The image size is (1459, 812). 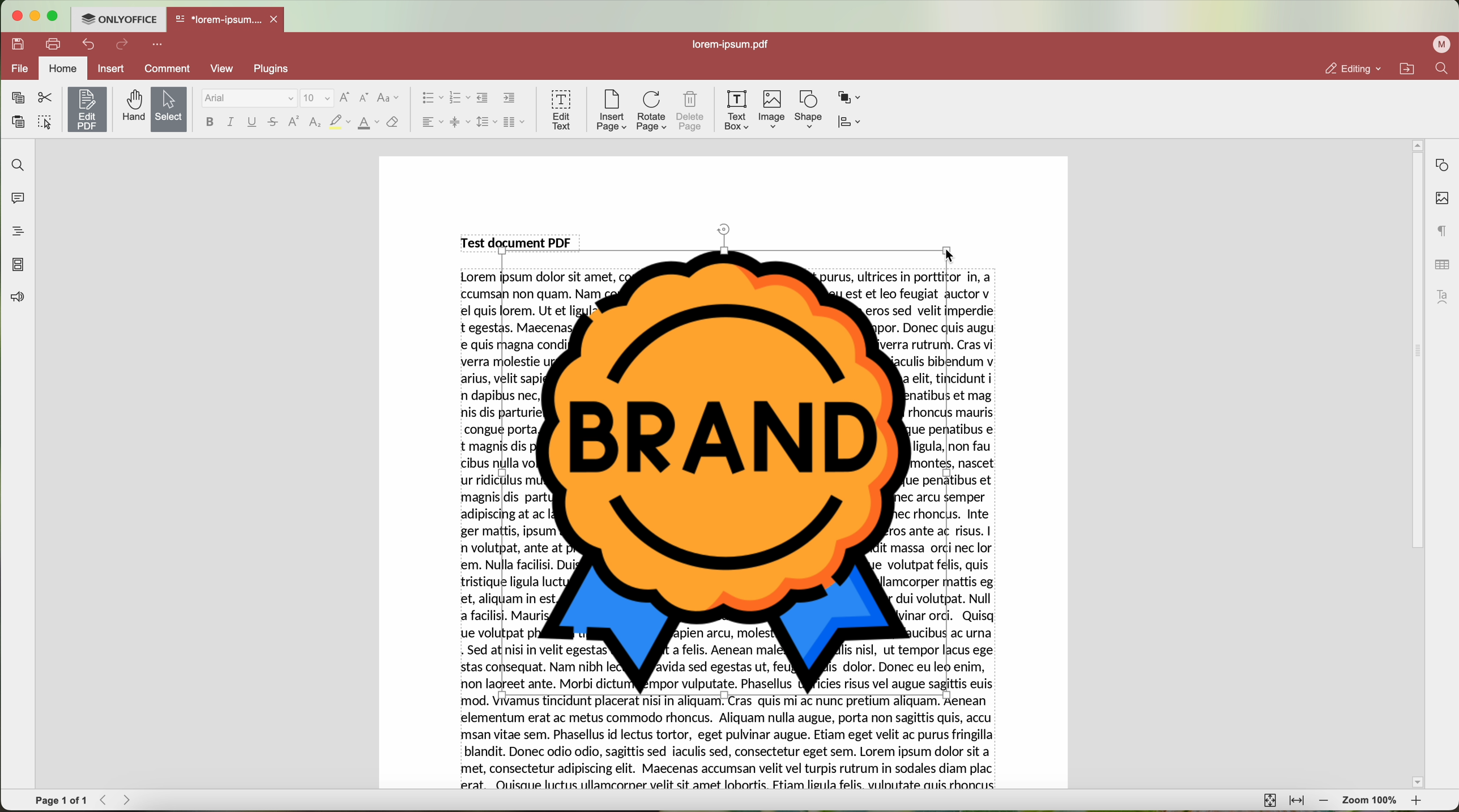 I want to click on superscript, so click(x=295, y=121).